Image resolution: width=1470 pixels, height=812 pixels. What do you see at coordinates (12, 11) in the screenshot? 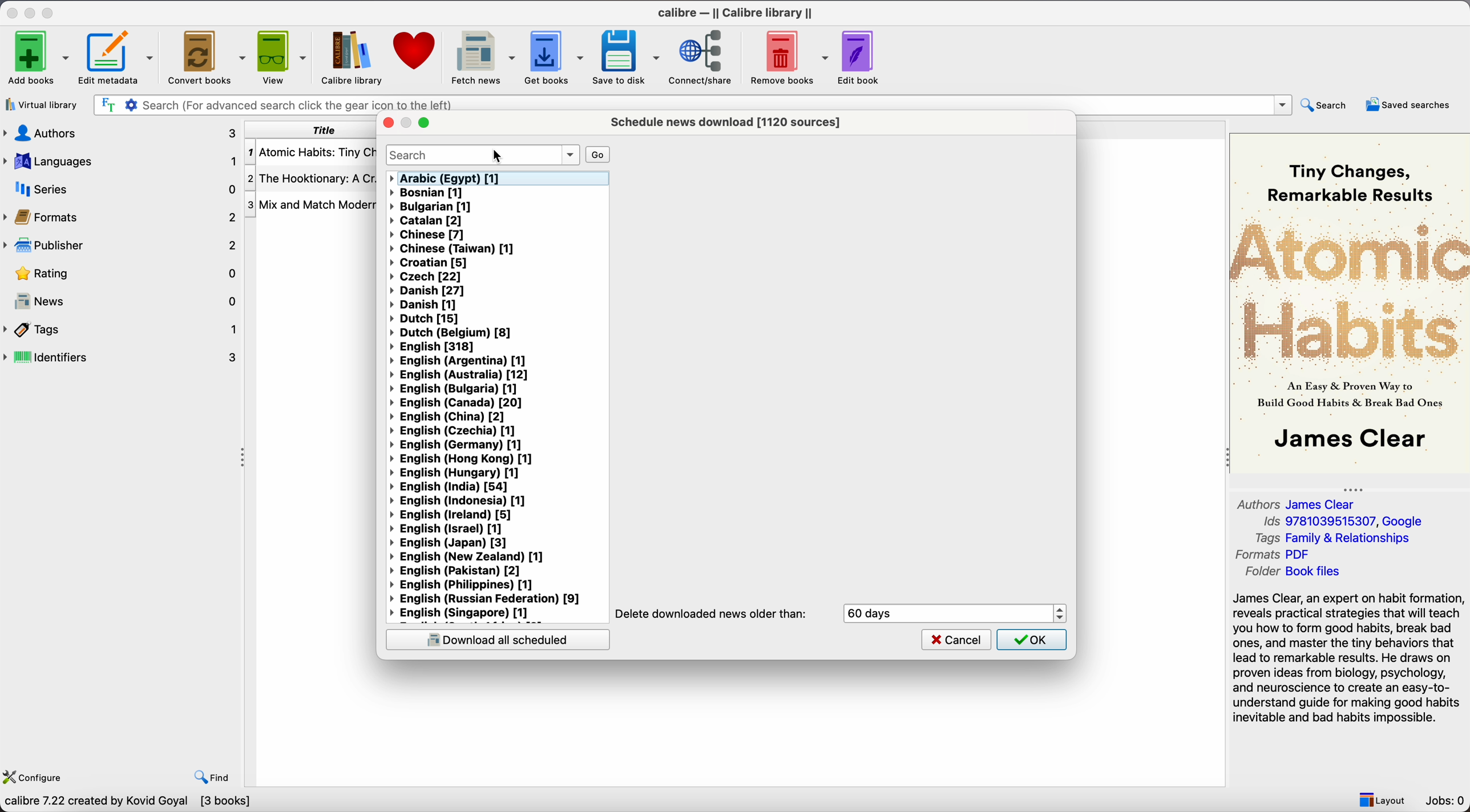
I see `close program` at bounding box center [12, 11].